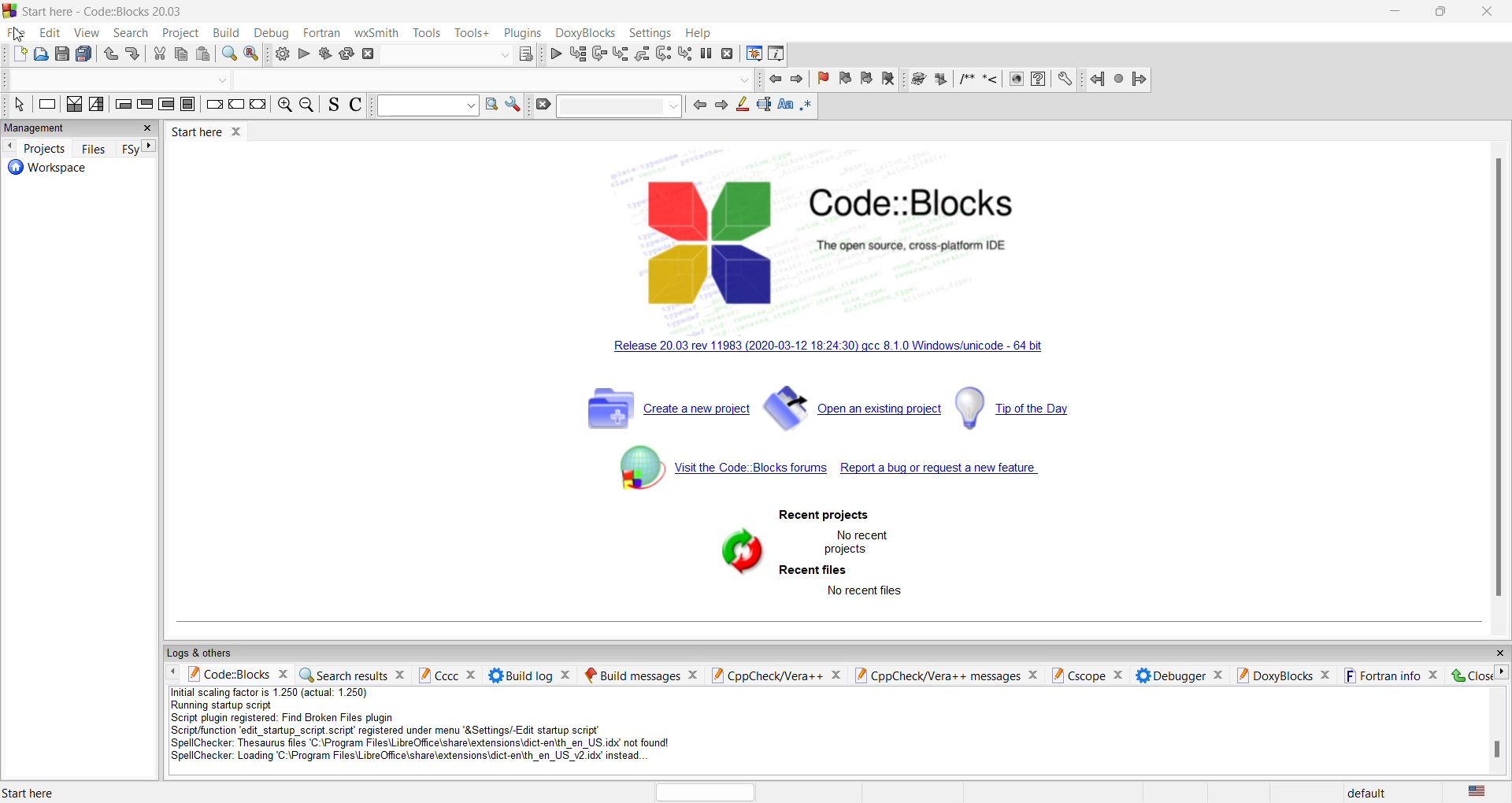  Describe the element at coordinates (472, 33) in the screenshot. I see `tools +` at that location.